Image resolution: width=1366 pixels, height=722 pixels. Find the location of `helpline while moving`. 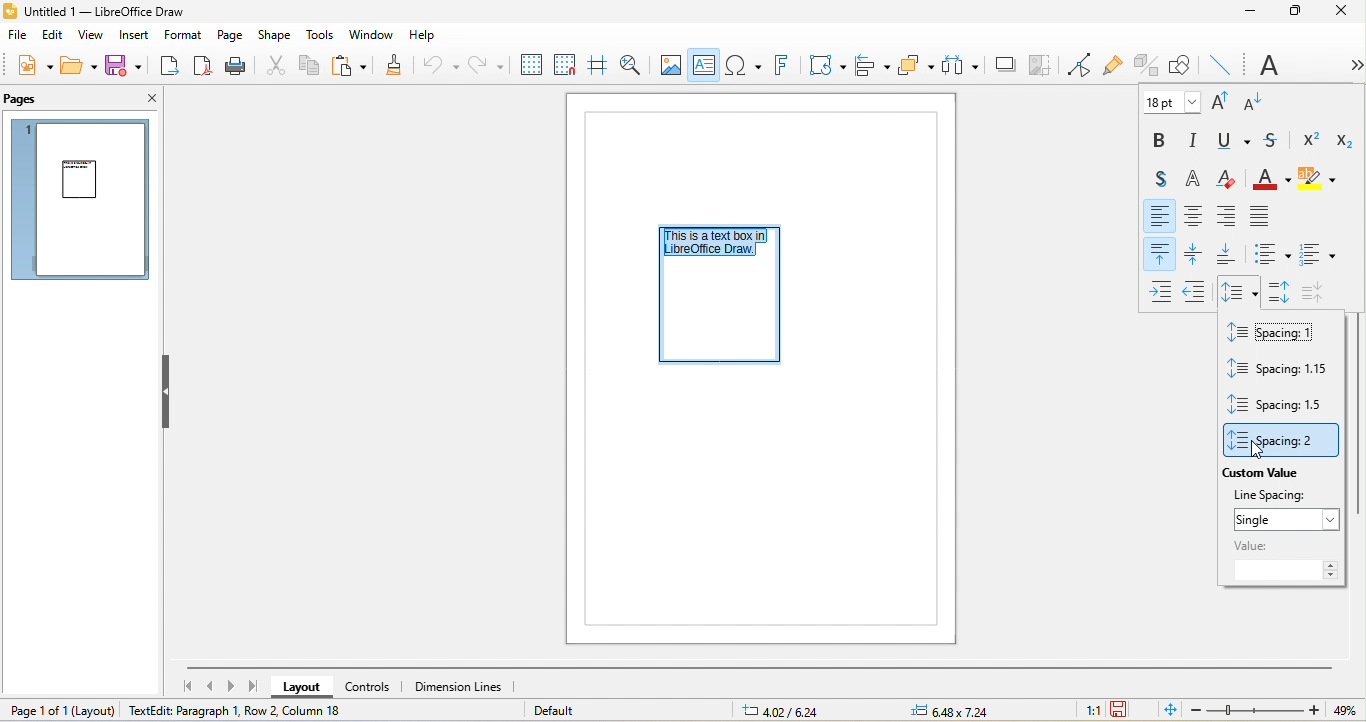

helpline while moving is located at coordinates (596, 65).